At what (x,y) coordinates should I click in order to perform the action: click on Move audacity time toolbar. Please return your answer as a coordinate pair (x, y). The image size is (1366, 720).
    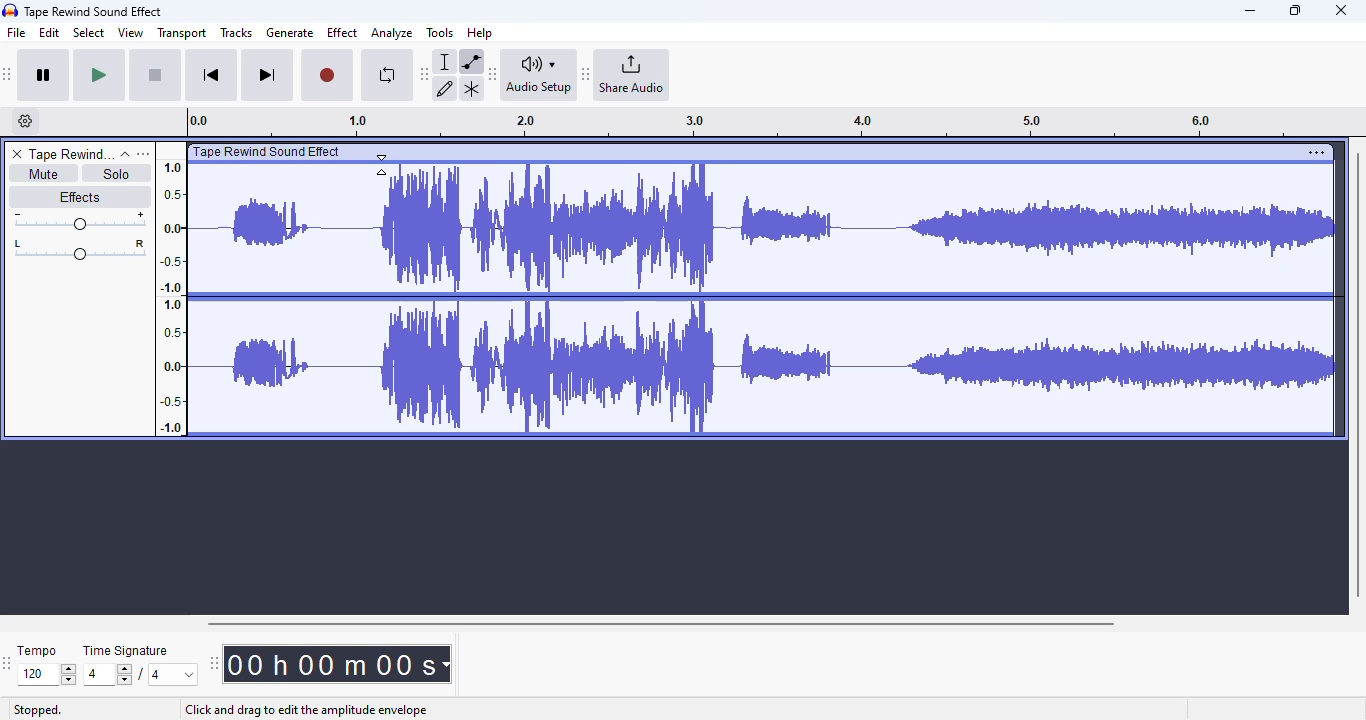
    Looking at the image, I should click on (213, 663).